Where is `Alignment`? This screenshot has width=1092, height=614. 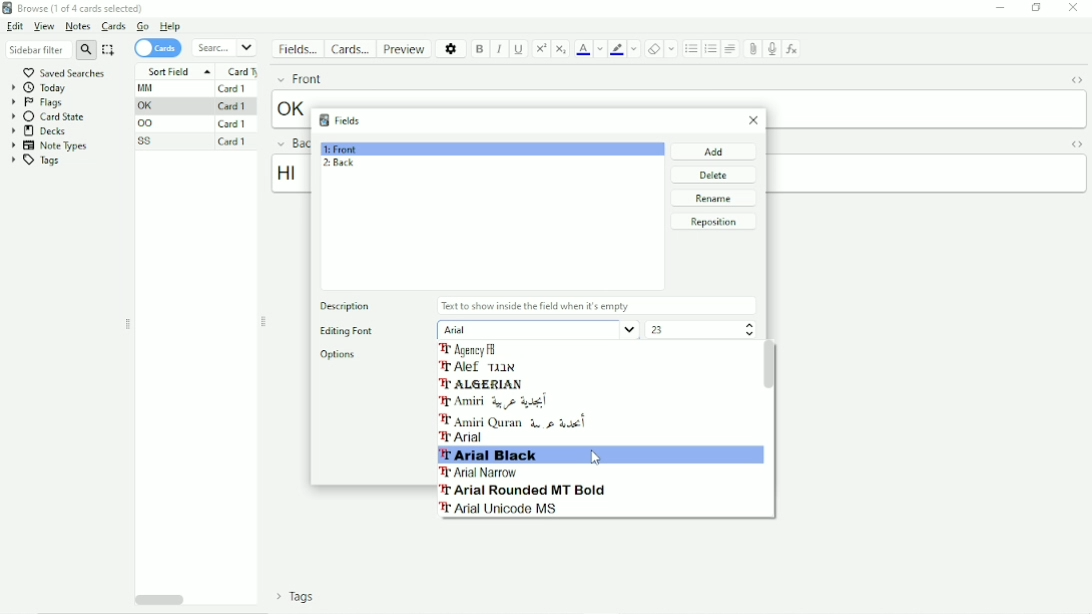
Alignment is located at coordinates (730, 49).